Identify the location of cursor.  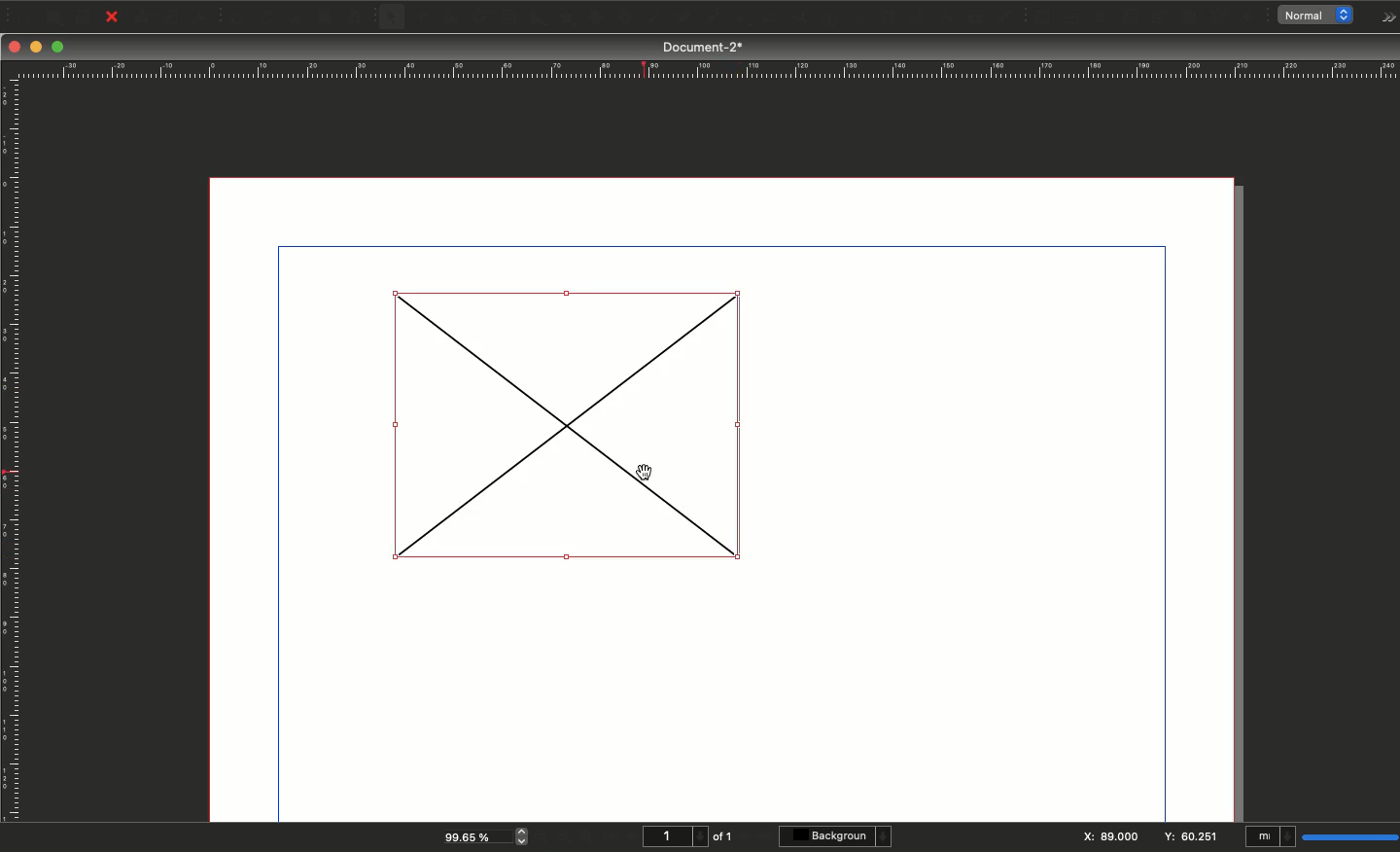
(646, 473).